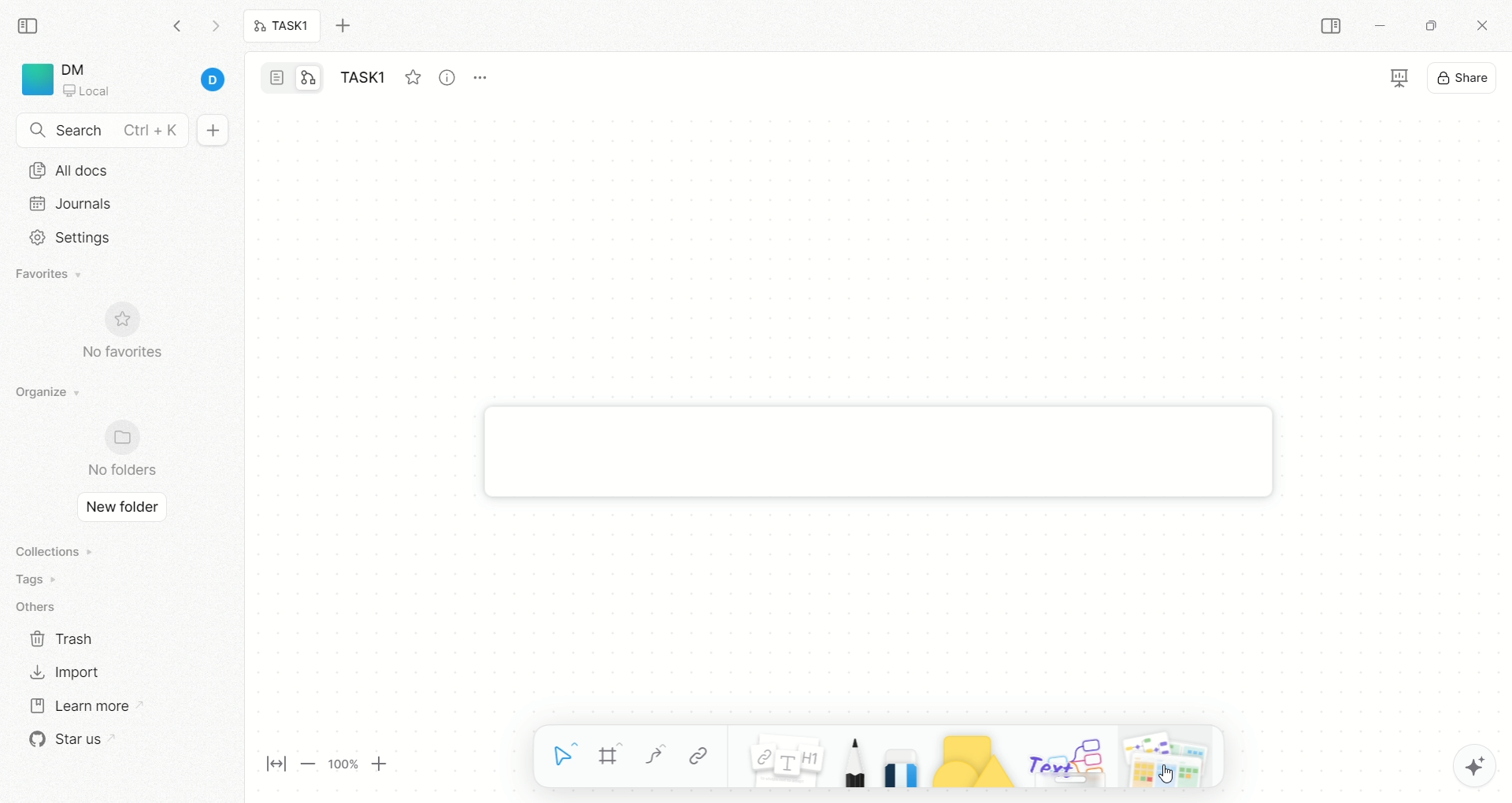  I want to click on learn more, so click(78, 704).